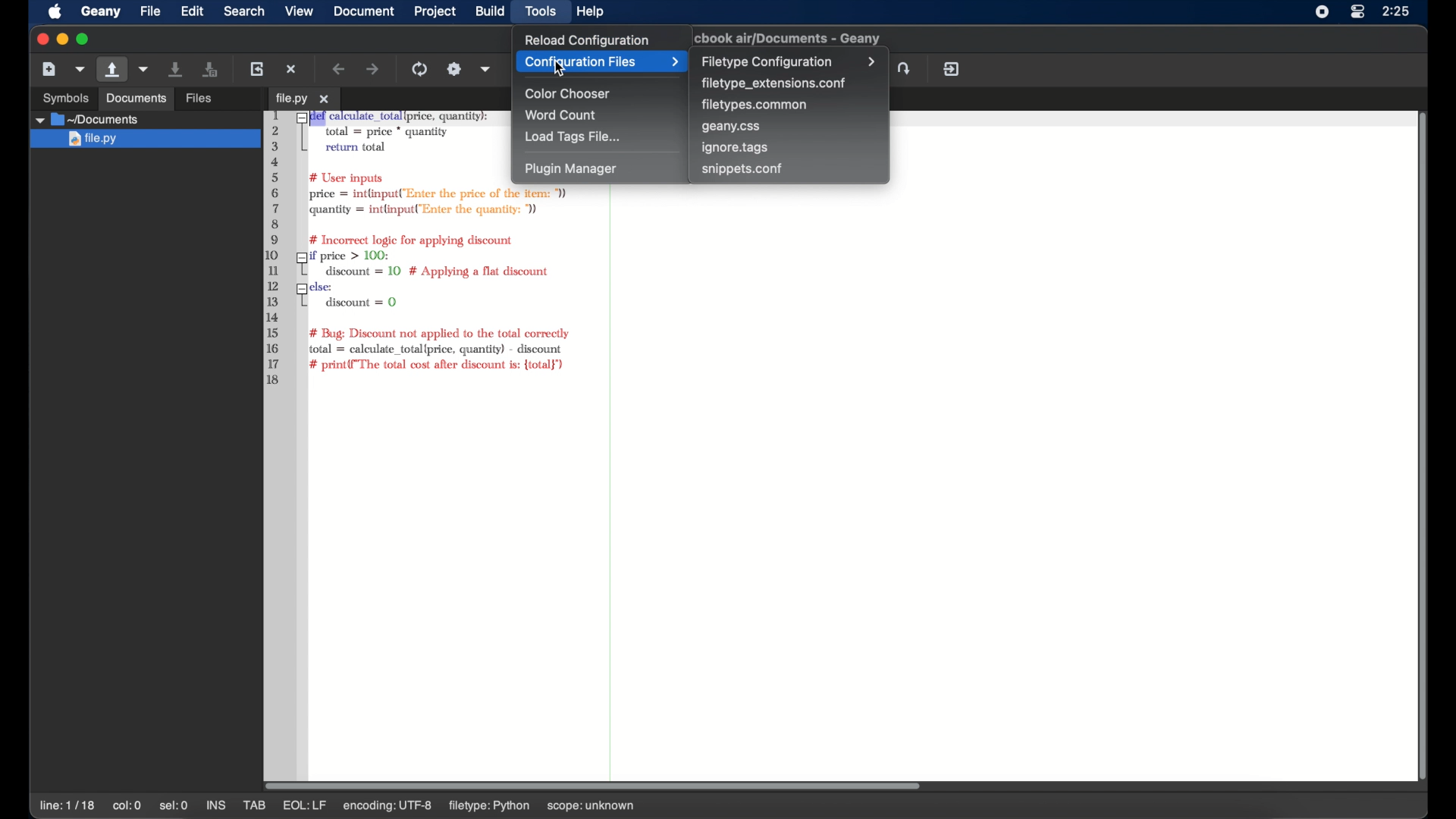 The width and height of the screenshot is (1456, 819). What do you see at coordinates (1323, 11) in the screenshot?
I see `screen recorder icon` at bounding box center [1323, 11].